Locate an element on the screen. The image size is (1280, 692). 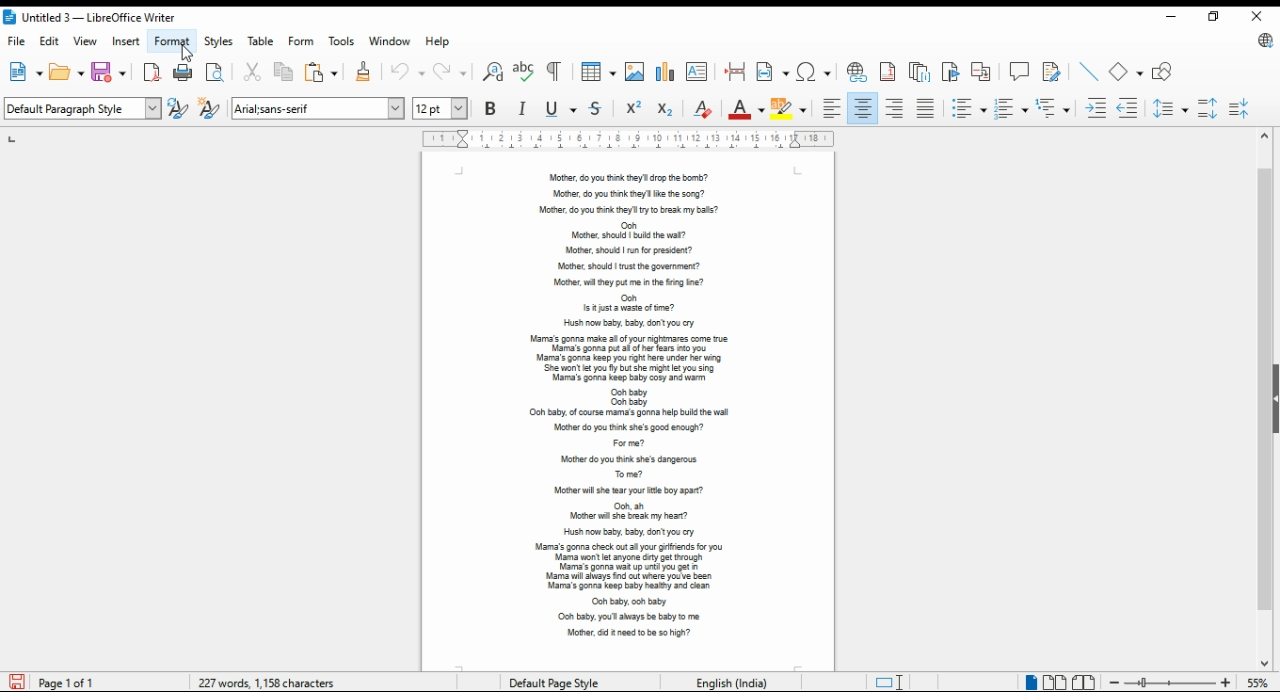
subscript is located at coordinates (665, 110).